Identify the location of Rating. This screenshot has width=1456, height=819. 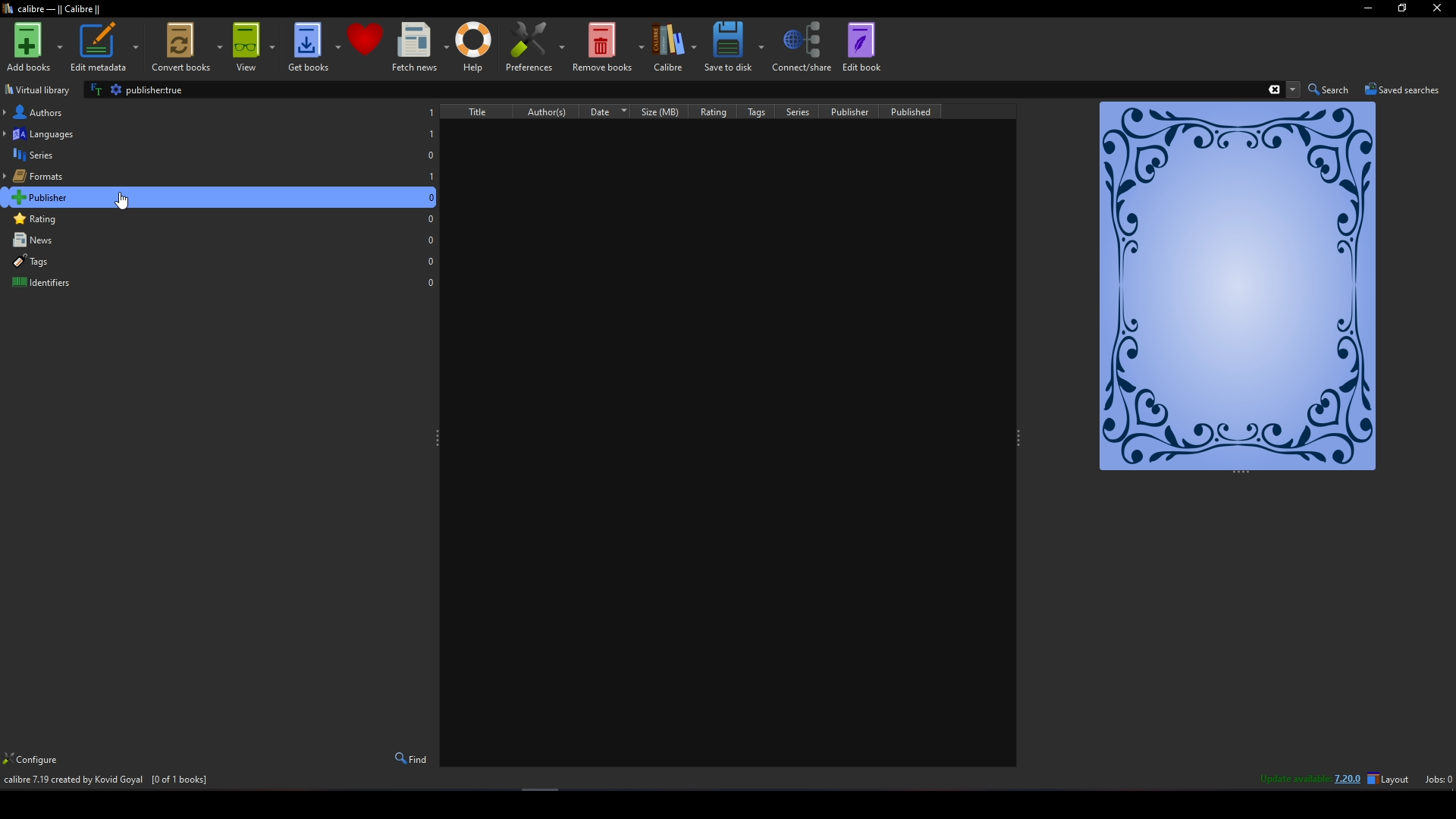
(221, 219).